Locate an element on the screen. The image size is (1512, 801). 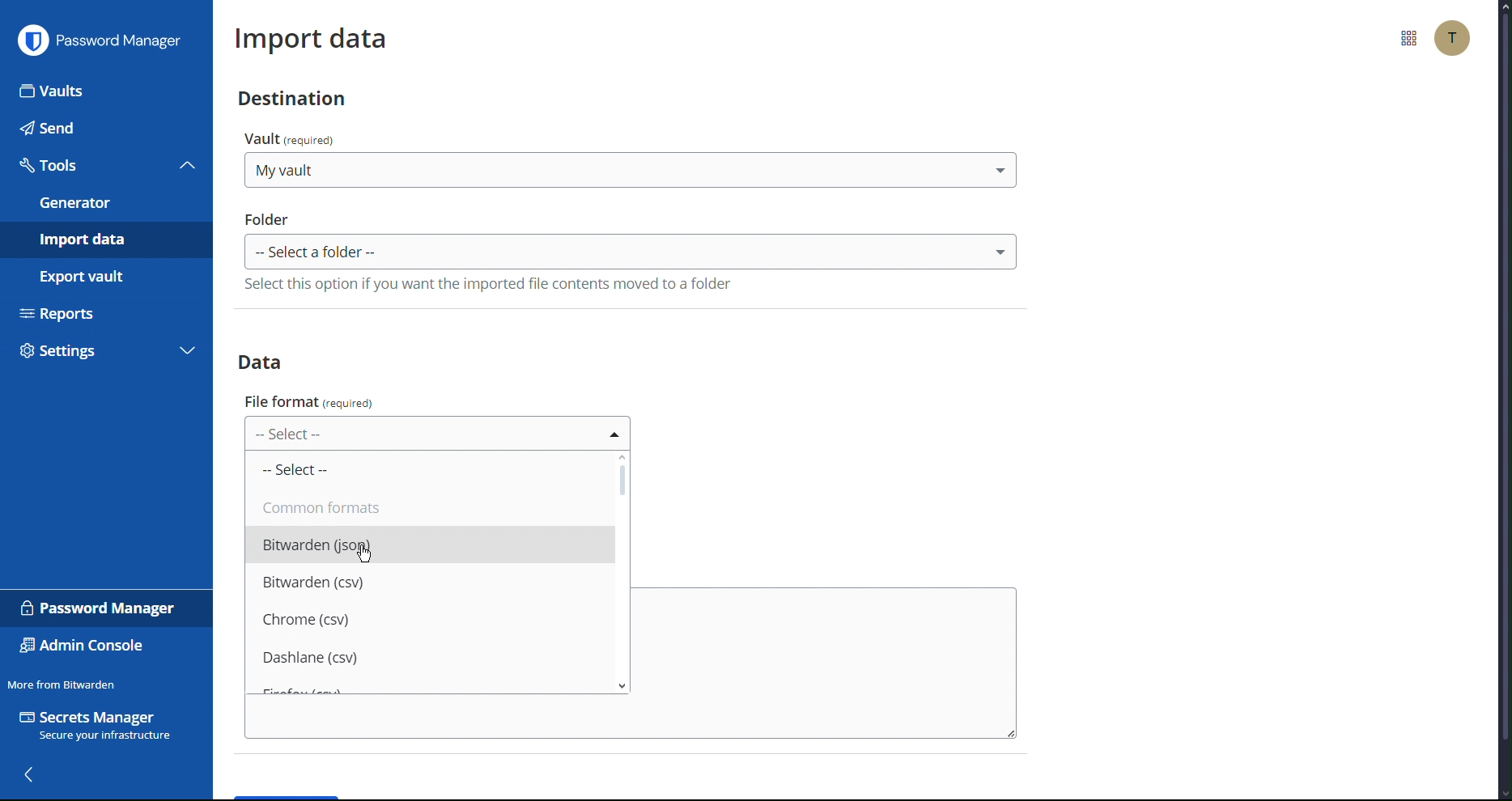
Account is located at coordinates (1454, 38).